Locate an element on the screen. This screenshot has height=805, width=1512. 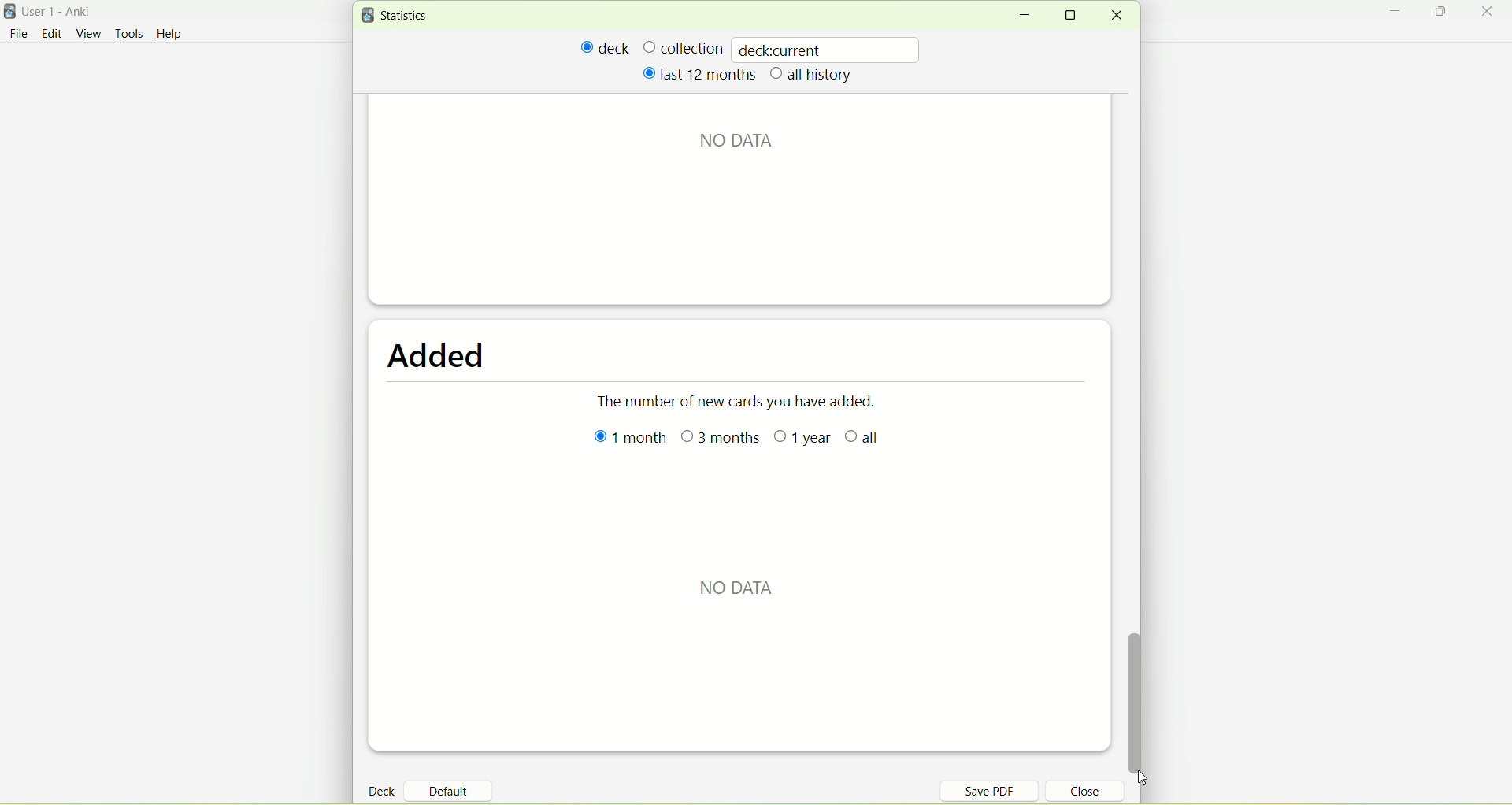
Help is located at coordinates (169, 36).